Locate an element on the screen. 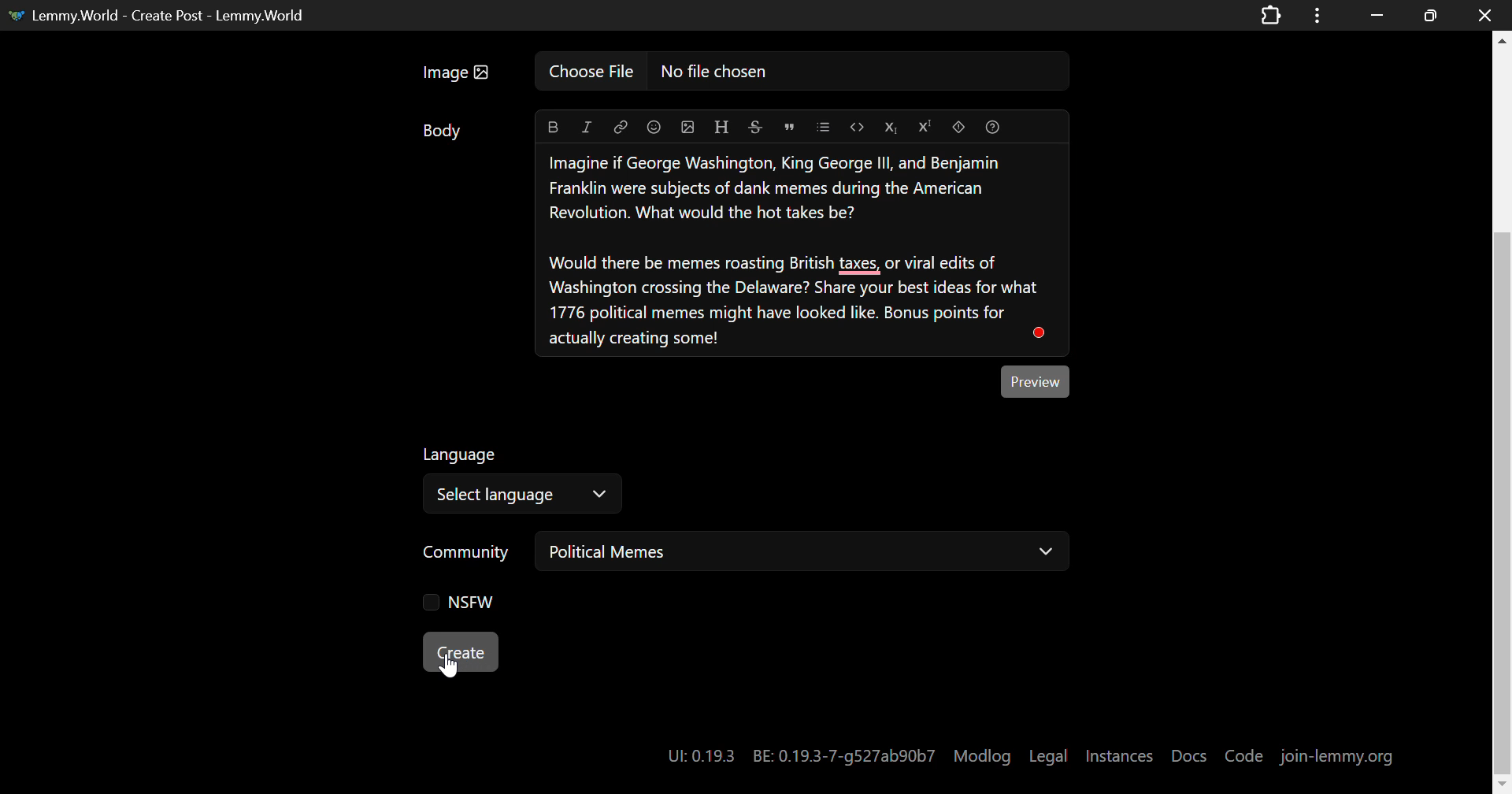 This screenshot has width=1512, height=794. Quote is located at coordinates (789, 127).